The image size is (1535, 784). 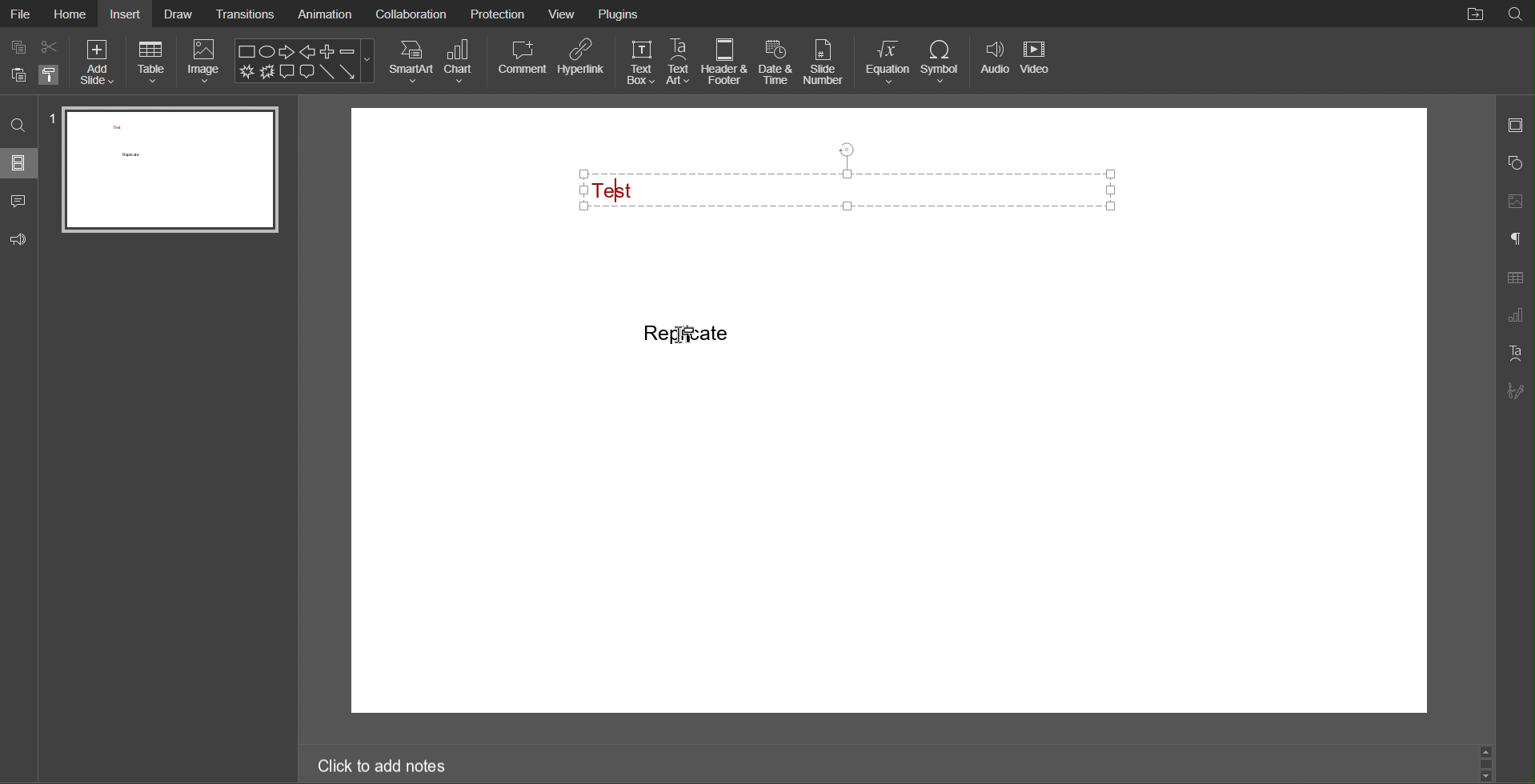 I want to click on Search, so click(x=1517, y=13).